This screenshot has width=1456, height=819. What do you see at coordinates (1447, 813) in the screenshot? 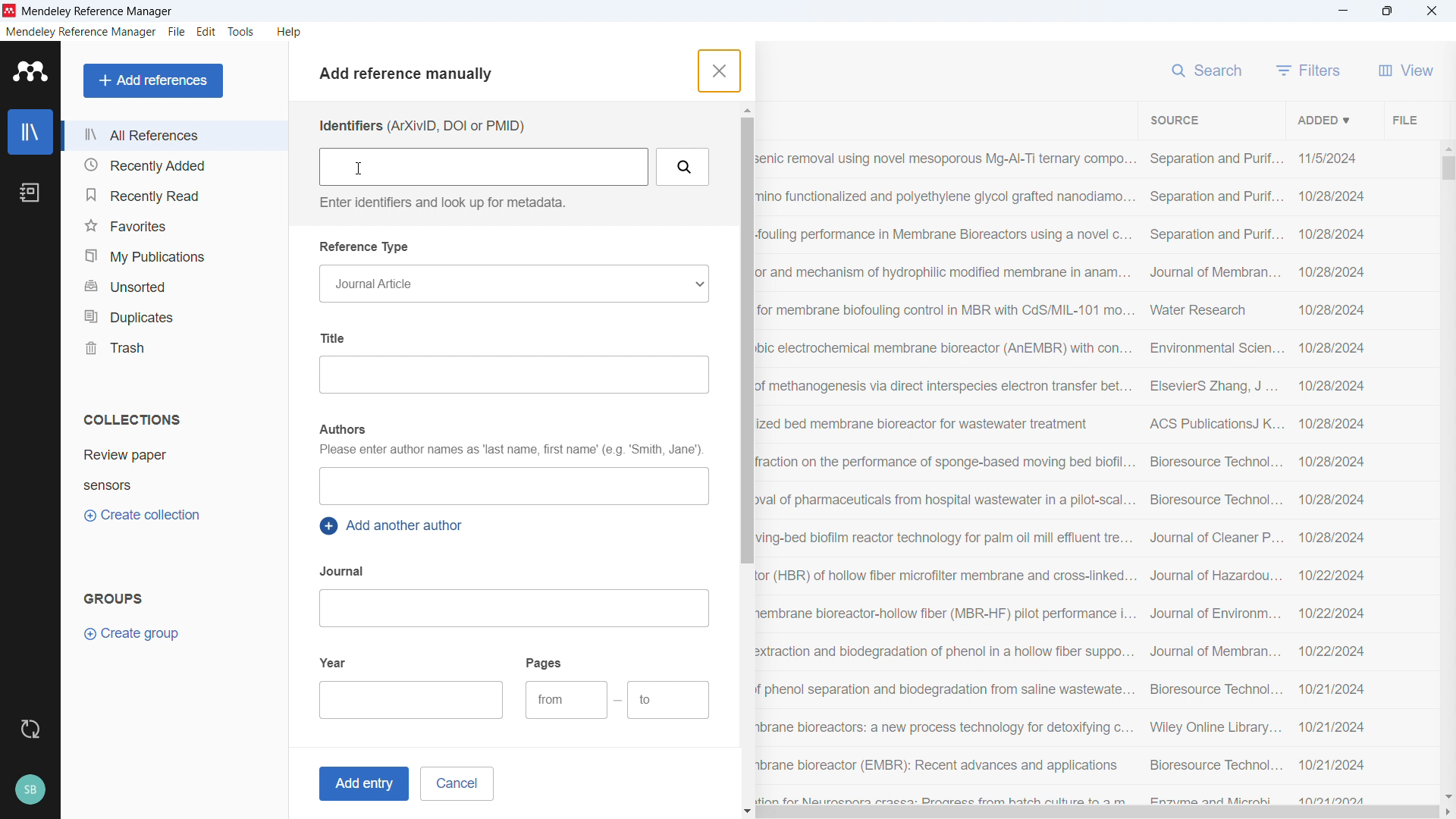
I see `Scroll right ` at bounding box center [1447, 813].